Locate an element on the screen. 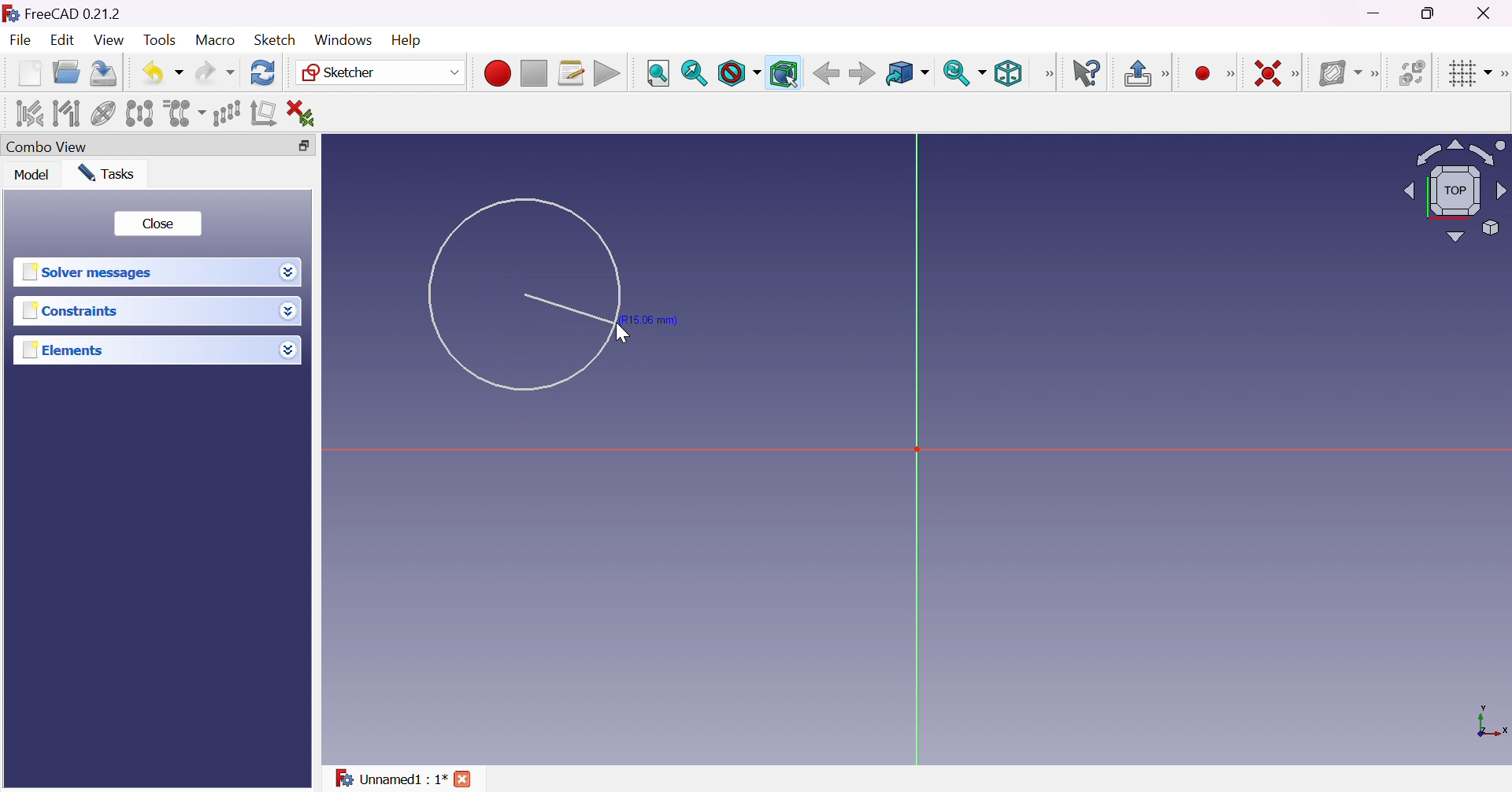  Sketcher is located at coordinates (378, 72).